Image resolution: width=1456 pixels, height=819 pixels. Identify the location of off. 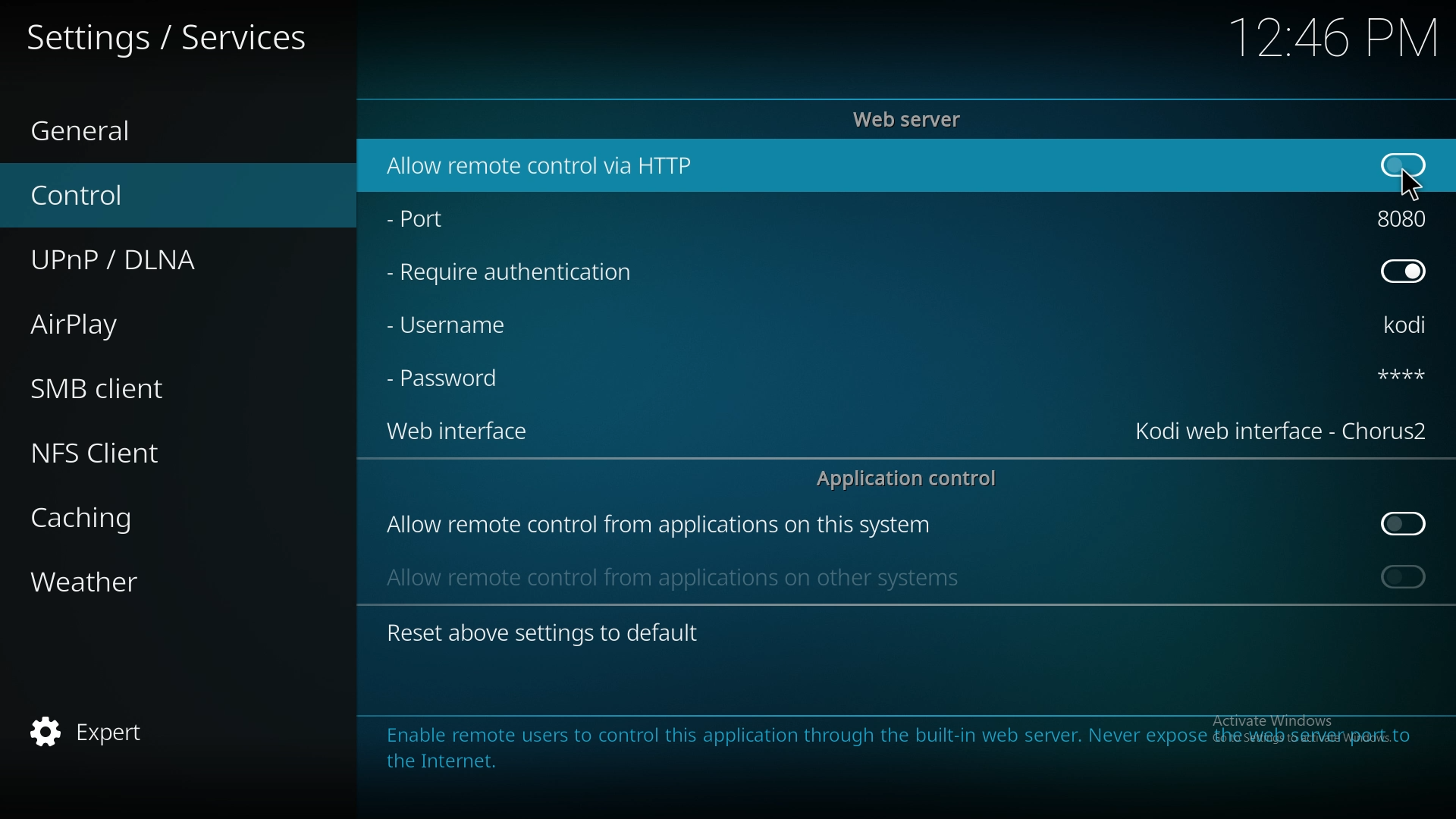
(1406, 524).